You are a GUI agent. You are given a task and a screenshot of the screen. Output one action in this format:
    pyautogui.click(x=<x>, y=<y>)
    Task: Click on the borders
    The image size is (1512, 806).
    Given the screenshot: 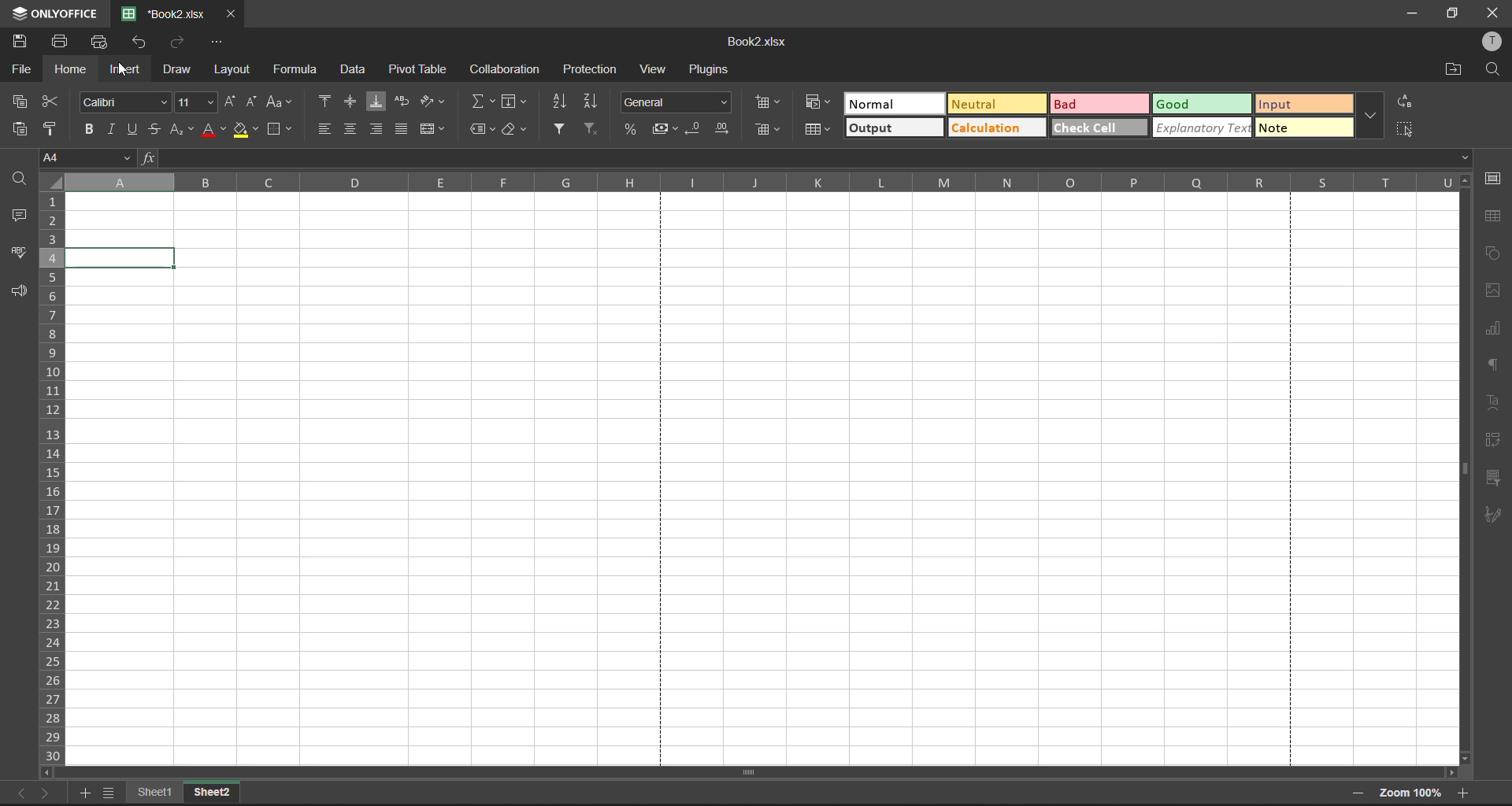 What is the action you would take?
    pyautogui.click(x=280, y=128)
    